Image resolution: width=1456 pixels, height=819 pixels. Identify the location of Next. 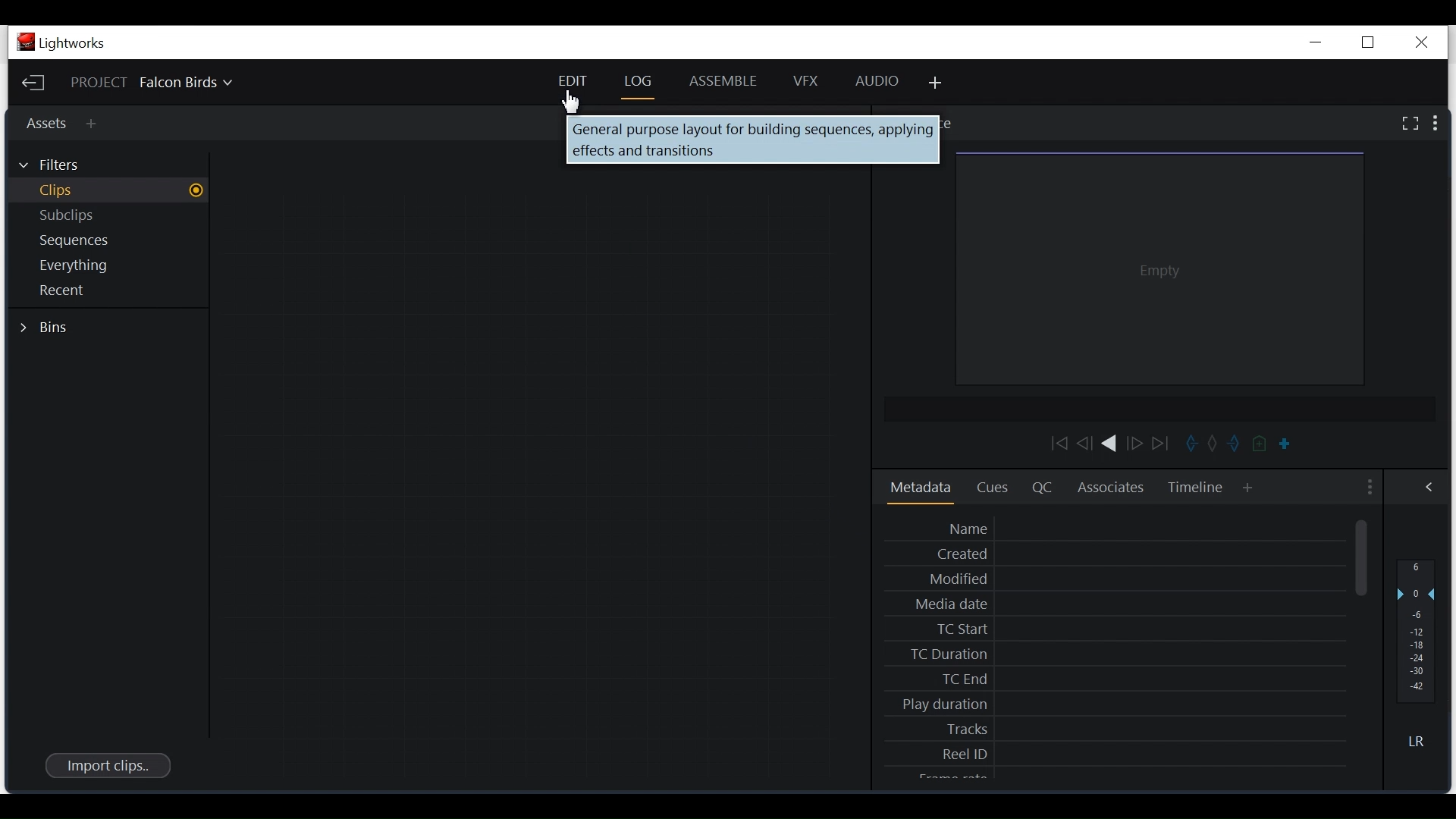
(1162, 444).